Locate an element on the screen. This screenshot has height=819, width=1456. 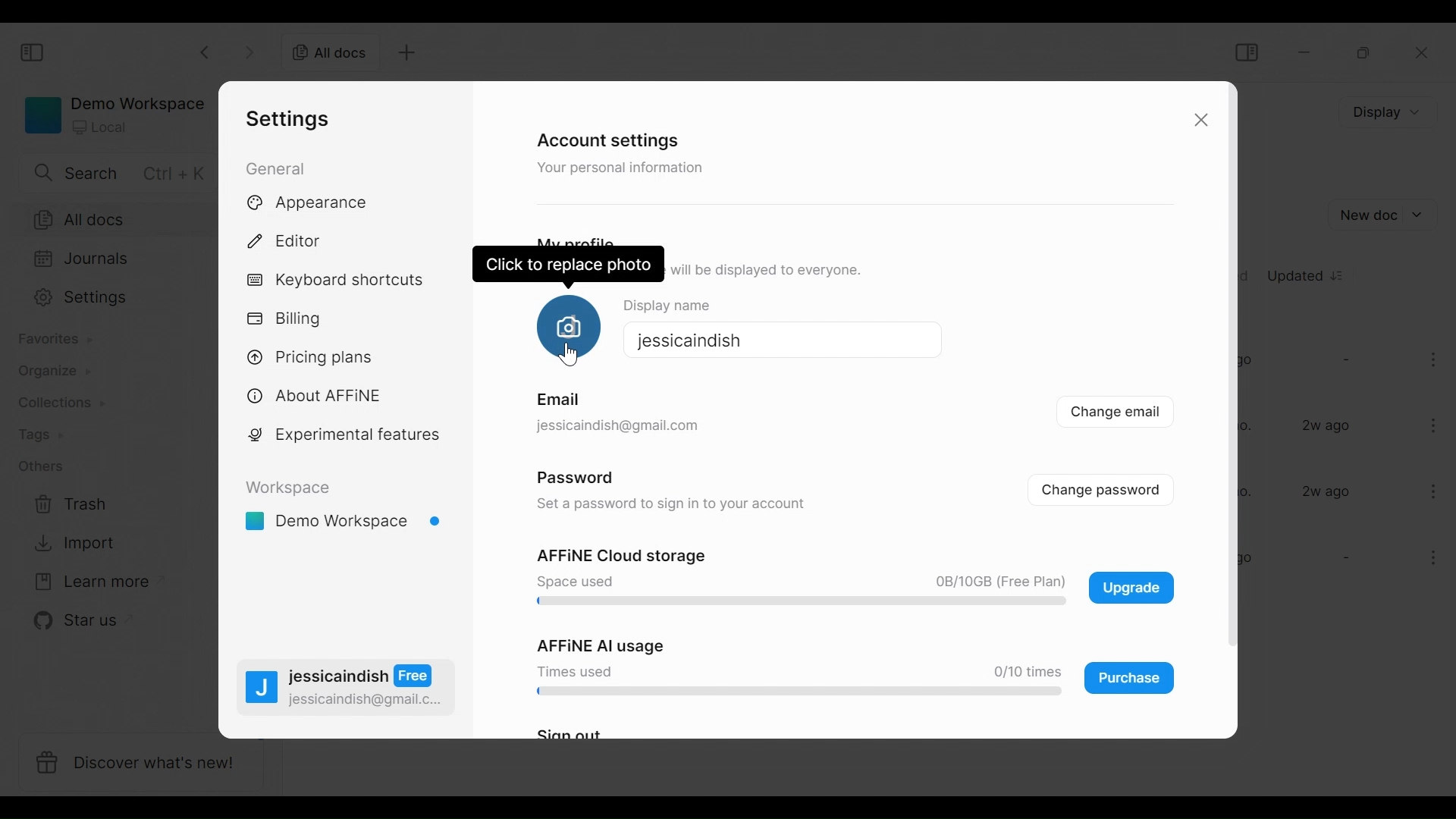
Import is located at coordinates (69, 545).